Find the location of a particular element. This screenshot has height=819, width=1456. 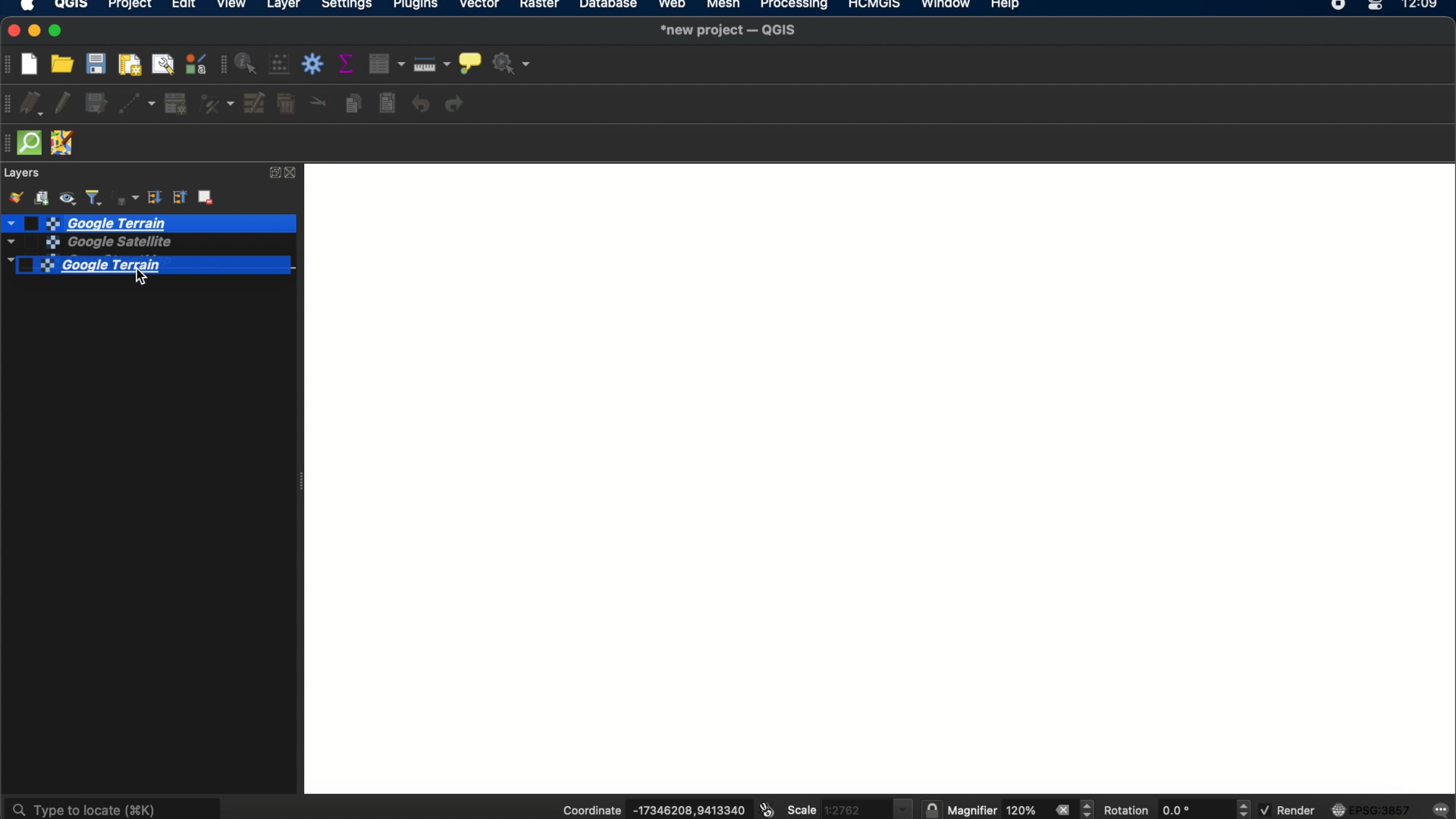

style manager is located at coordinates (195, 64).